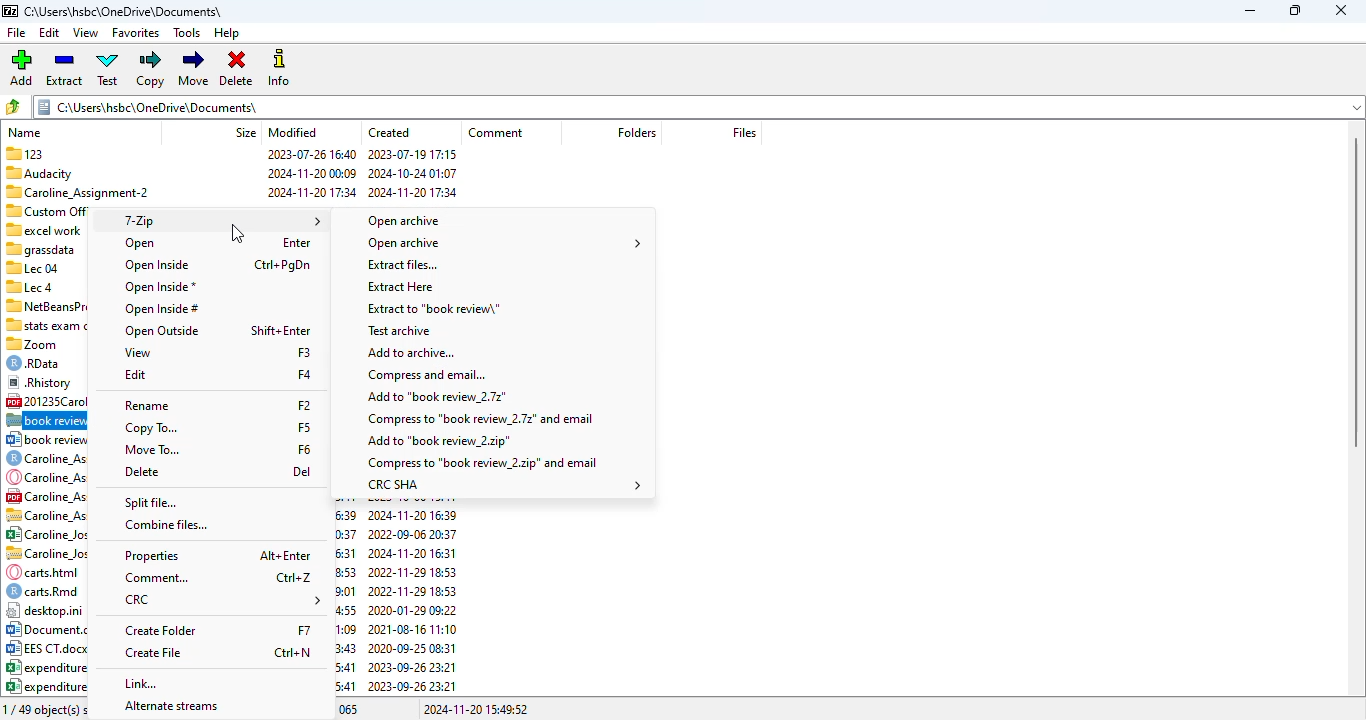 The width and height of the screenshot is (1366, 720). Describe the element at coordinates (152, 450) in the screenshot. I see `move to` at that location.